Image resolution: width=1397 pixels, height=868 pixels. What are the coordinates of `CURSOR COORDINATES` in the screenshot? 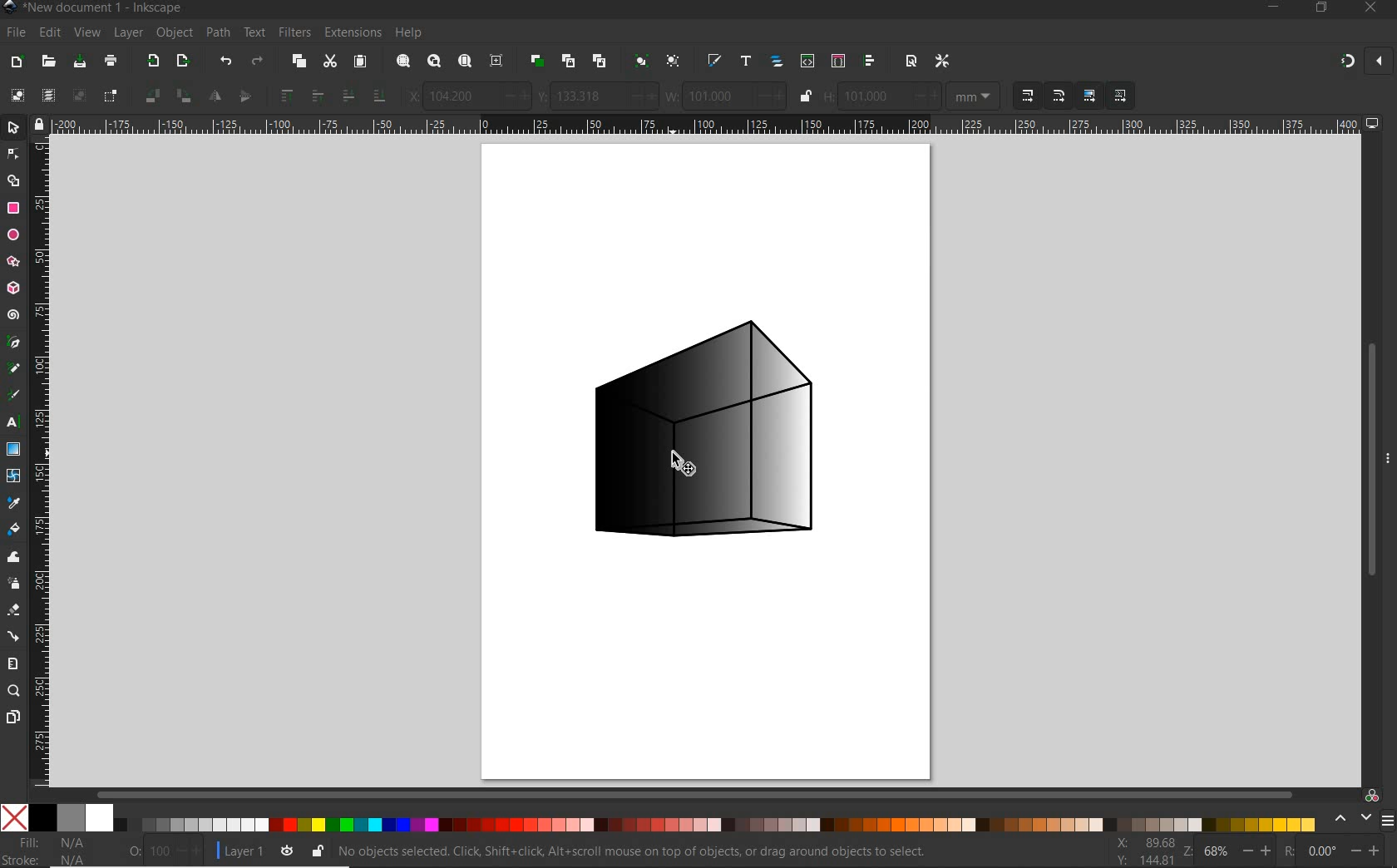 It's located at (1148, 851).